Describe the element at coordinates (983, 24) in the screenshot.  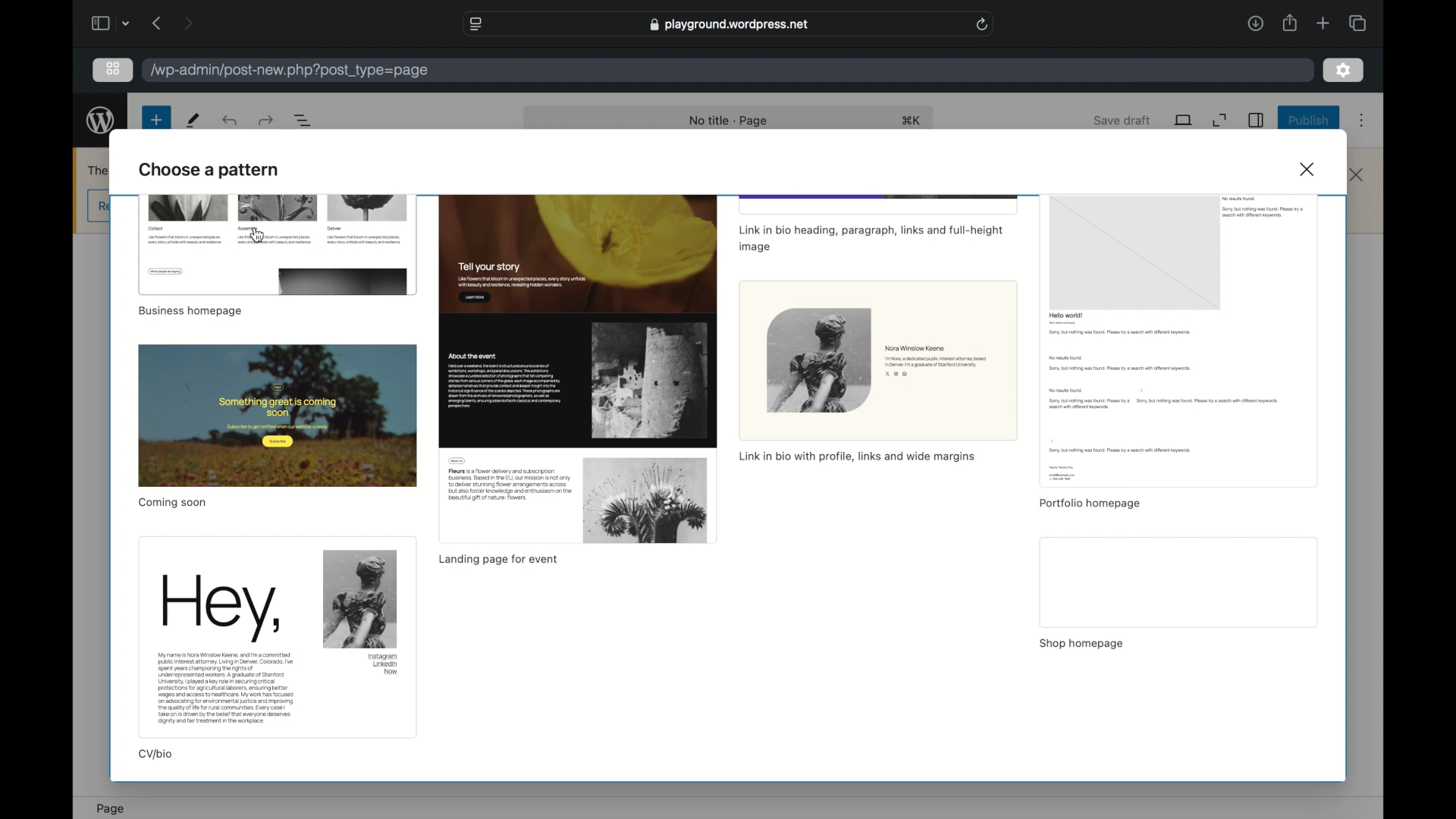
I see `refresh` at that location.